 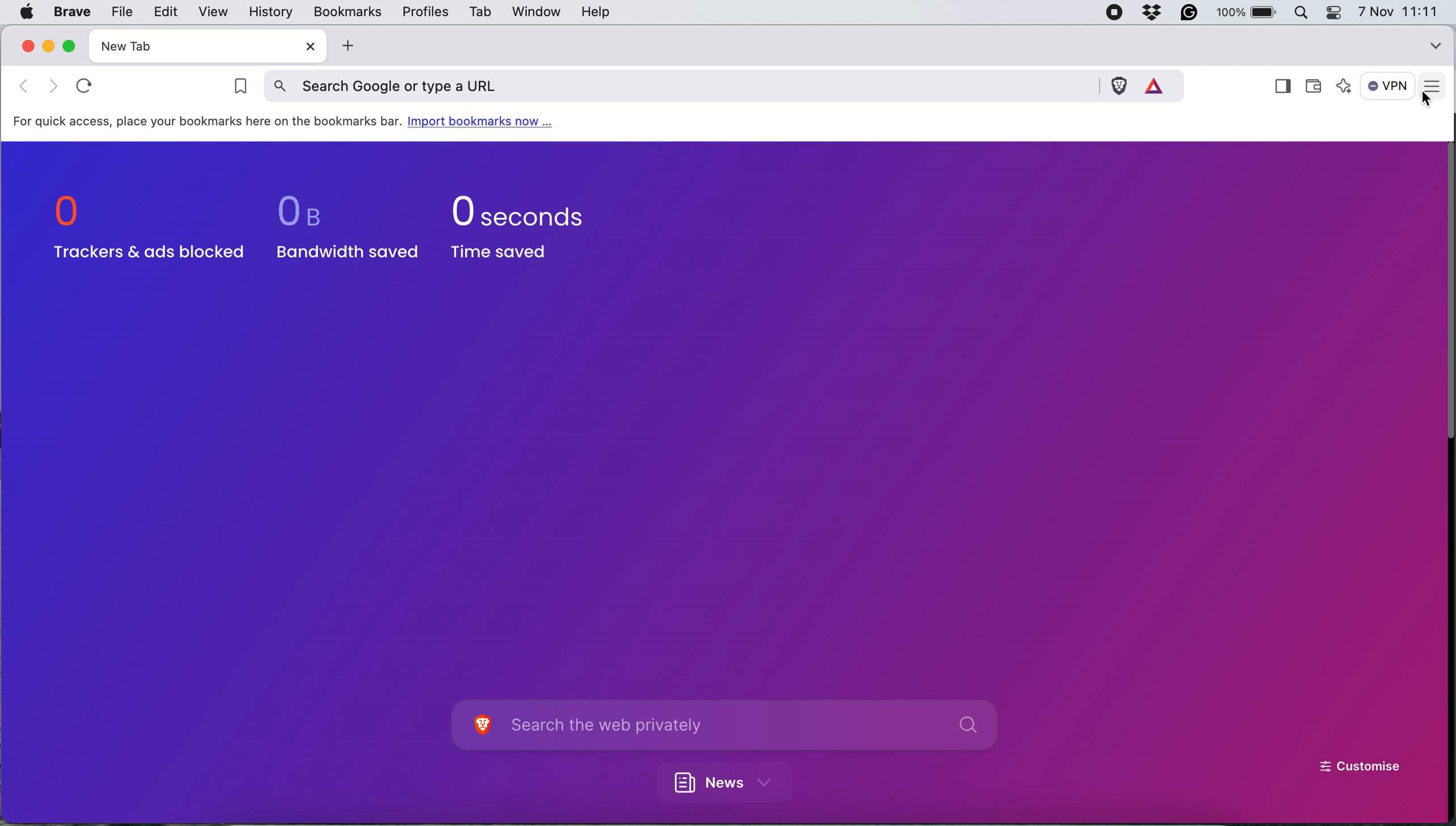 What do you see at coordinates (210, 12) in the screenshot?
I see `view` at bounding box center [210, 12].